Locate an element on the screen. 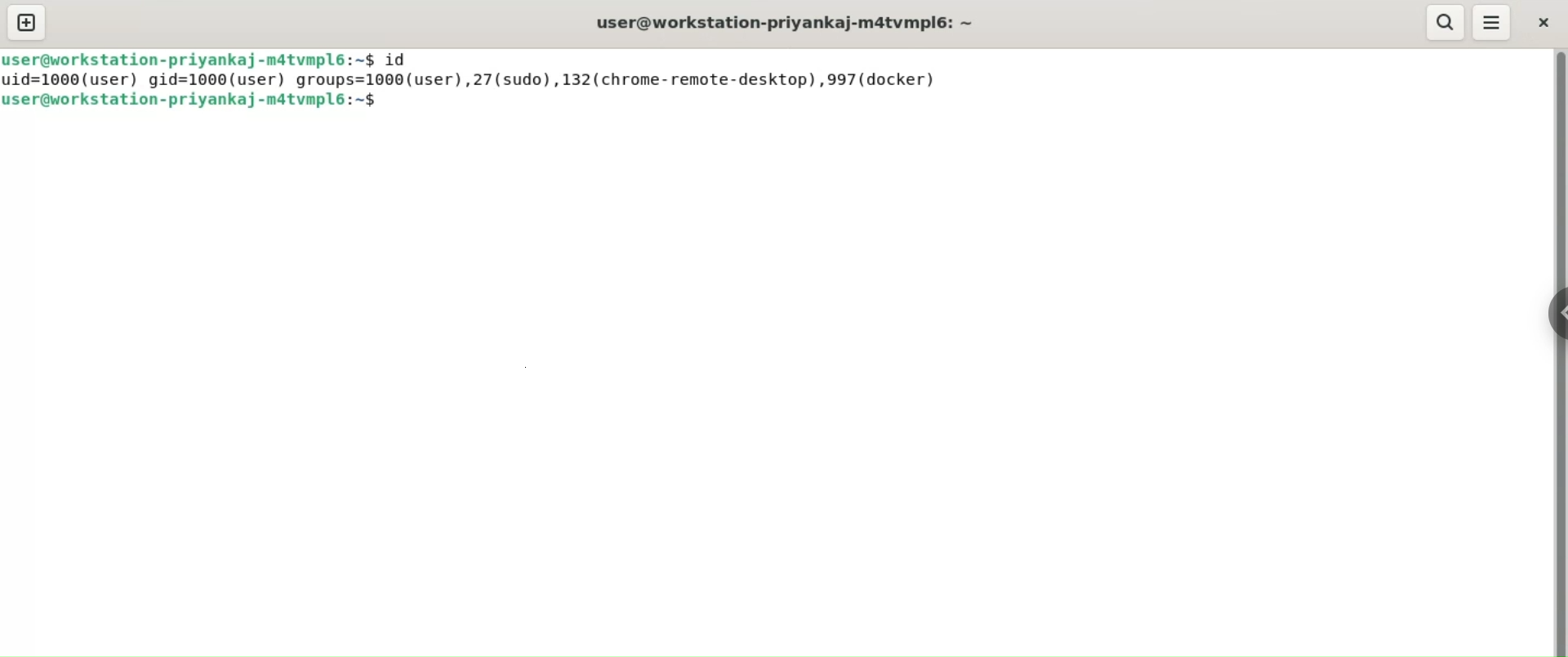 The image size is (1568, 657). command: id is located at coordinates (407, 60).